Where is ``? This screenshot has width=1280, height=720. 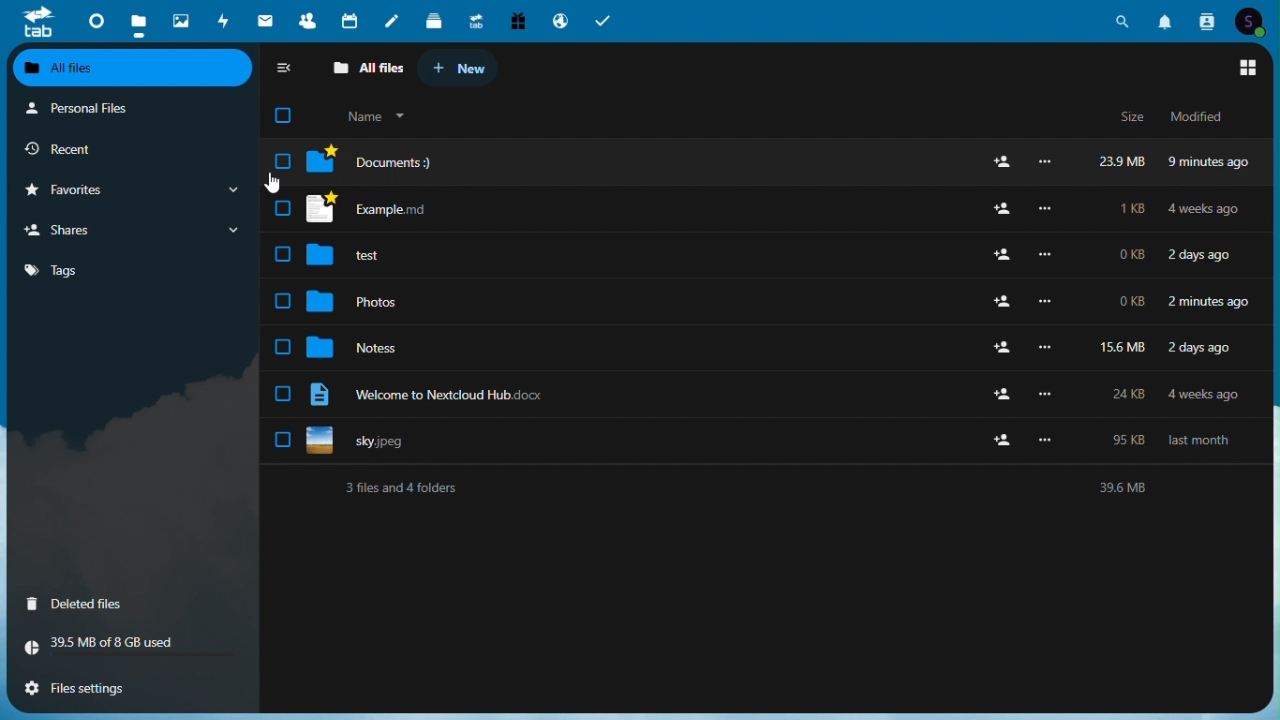  is located at coordinates (1249, 72).